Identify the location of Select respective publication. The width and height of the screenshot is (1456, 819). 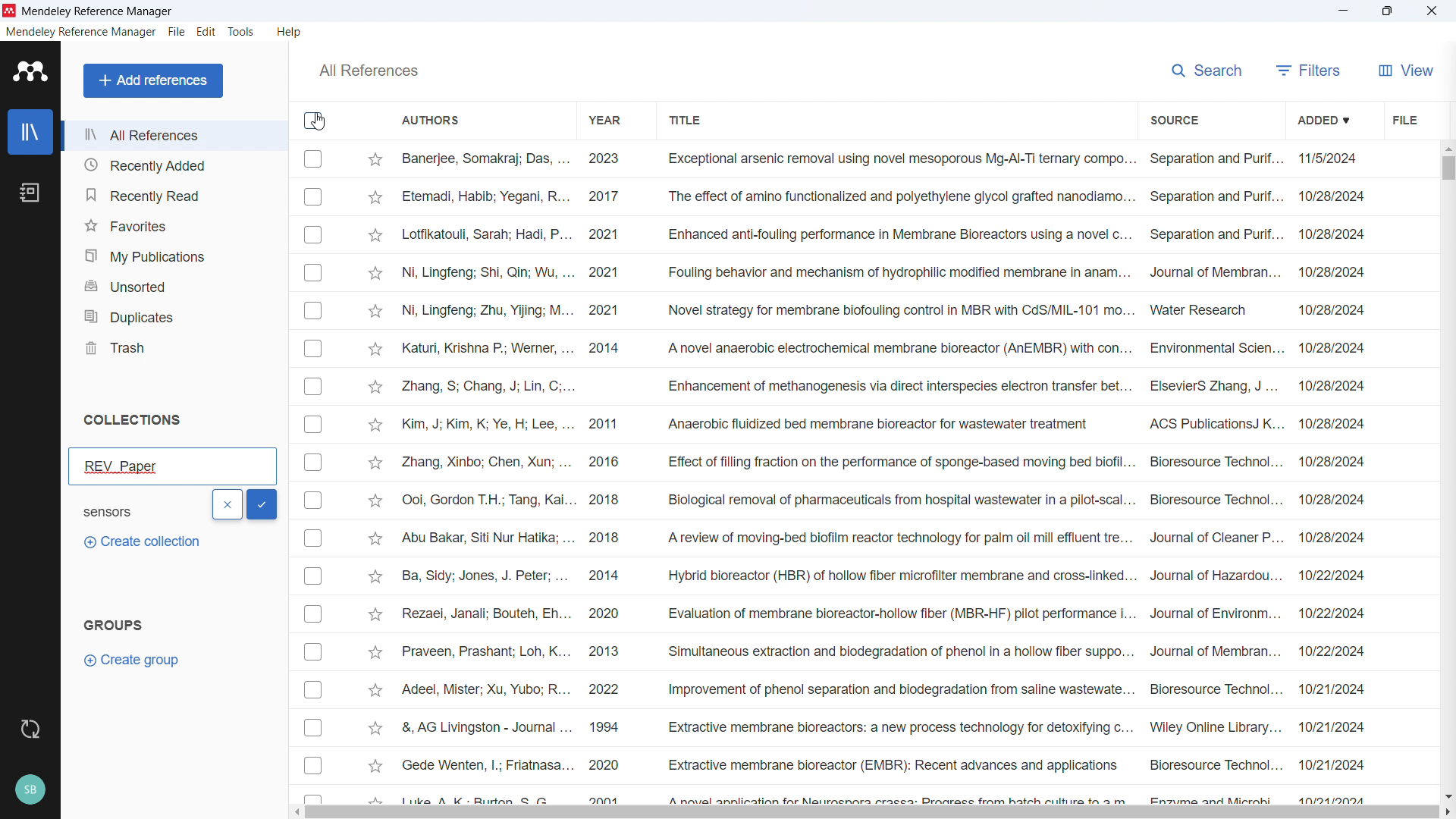
(313, 500).